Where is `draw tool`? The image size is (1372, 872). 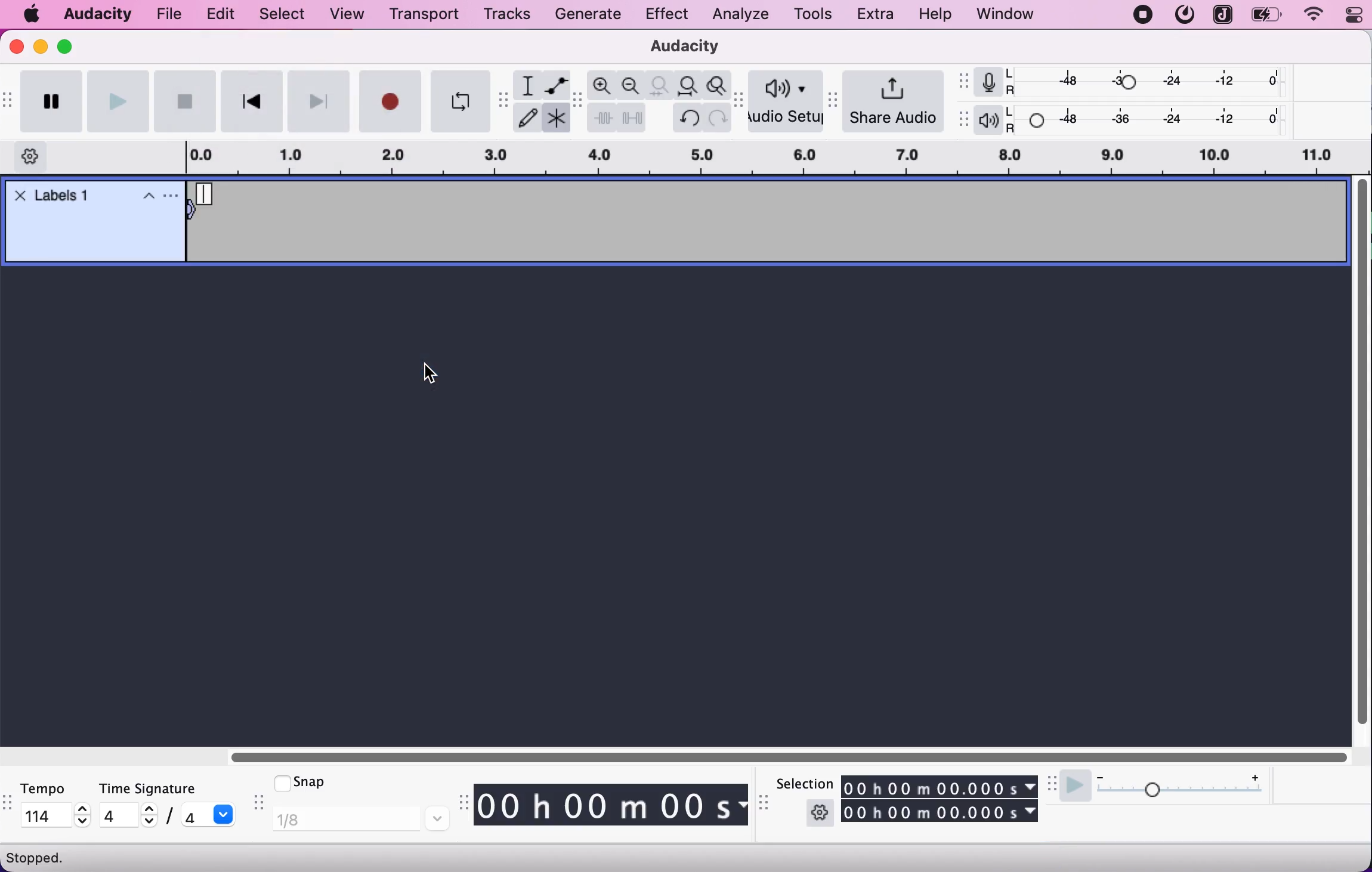 draw tool is located at coordinates (527, 119).